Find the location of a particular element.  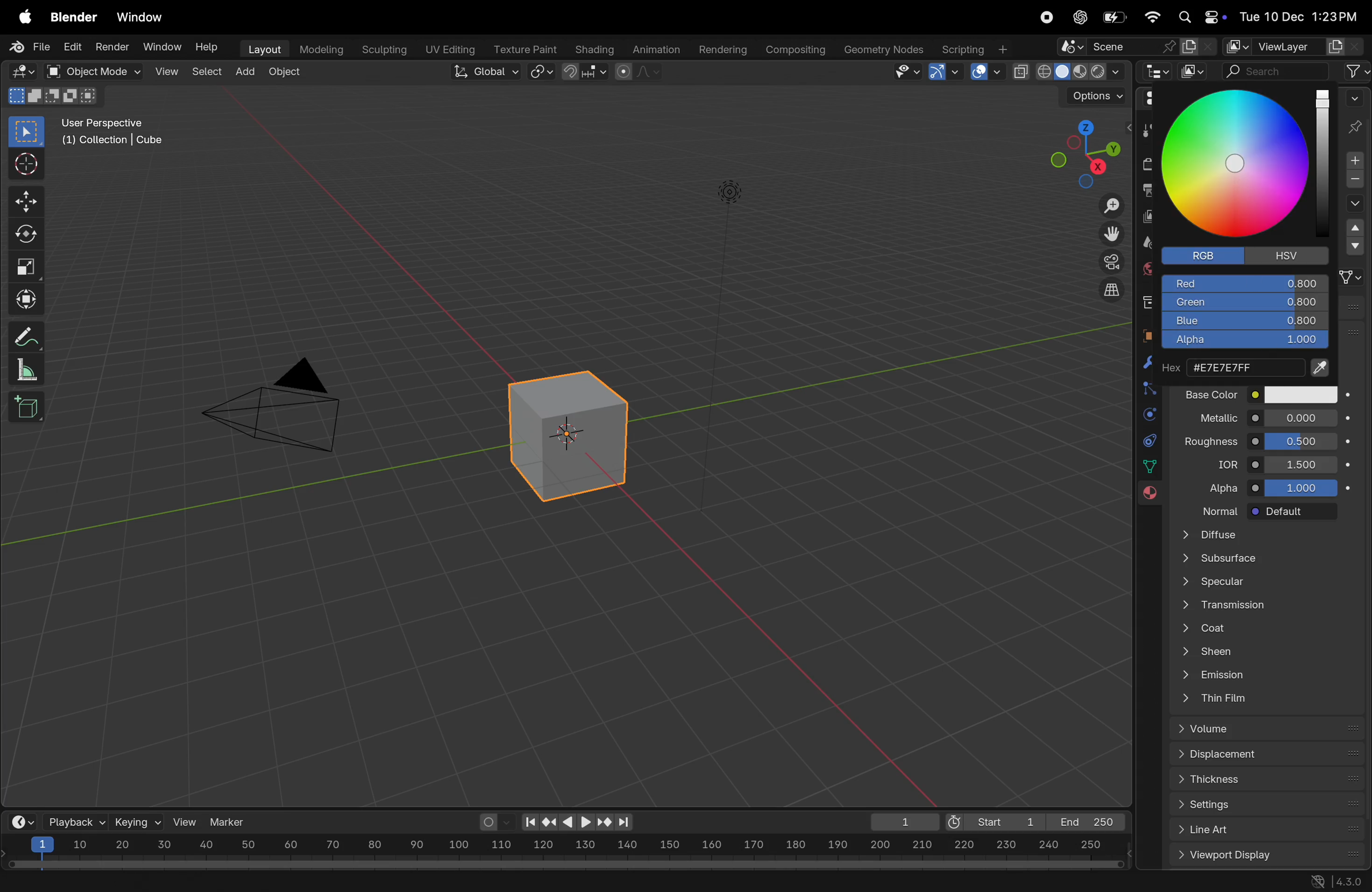

roughness is located at coordinates (1210, 439).